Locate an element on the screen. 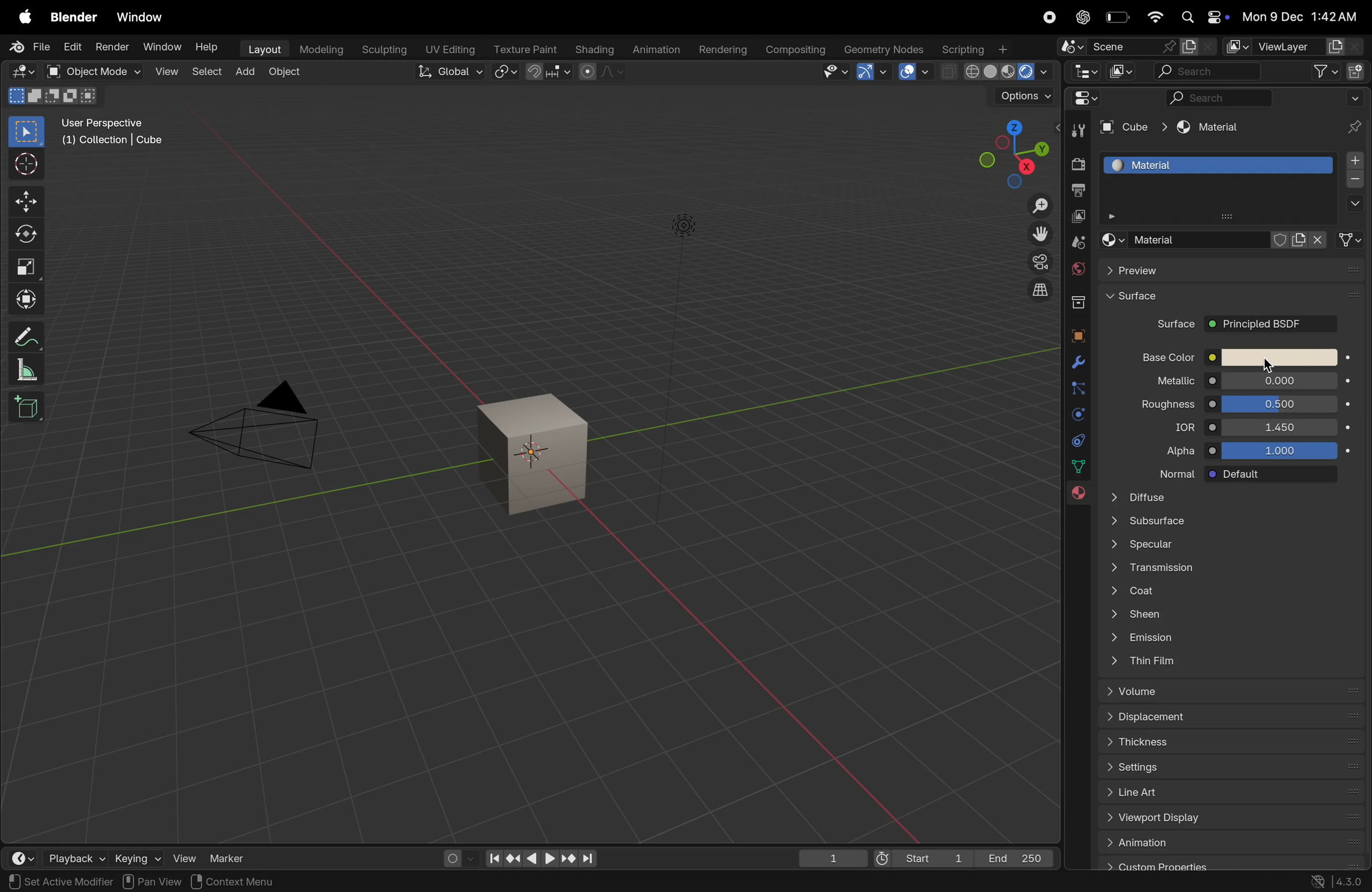  move is located at coordinates (25, 201).